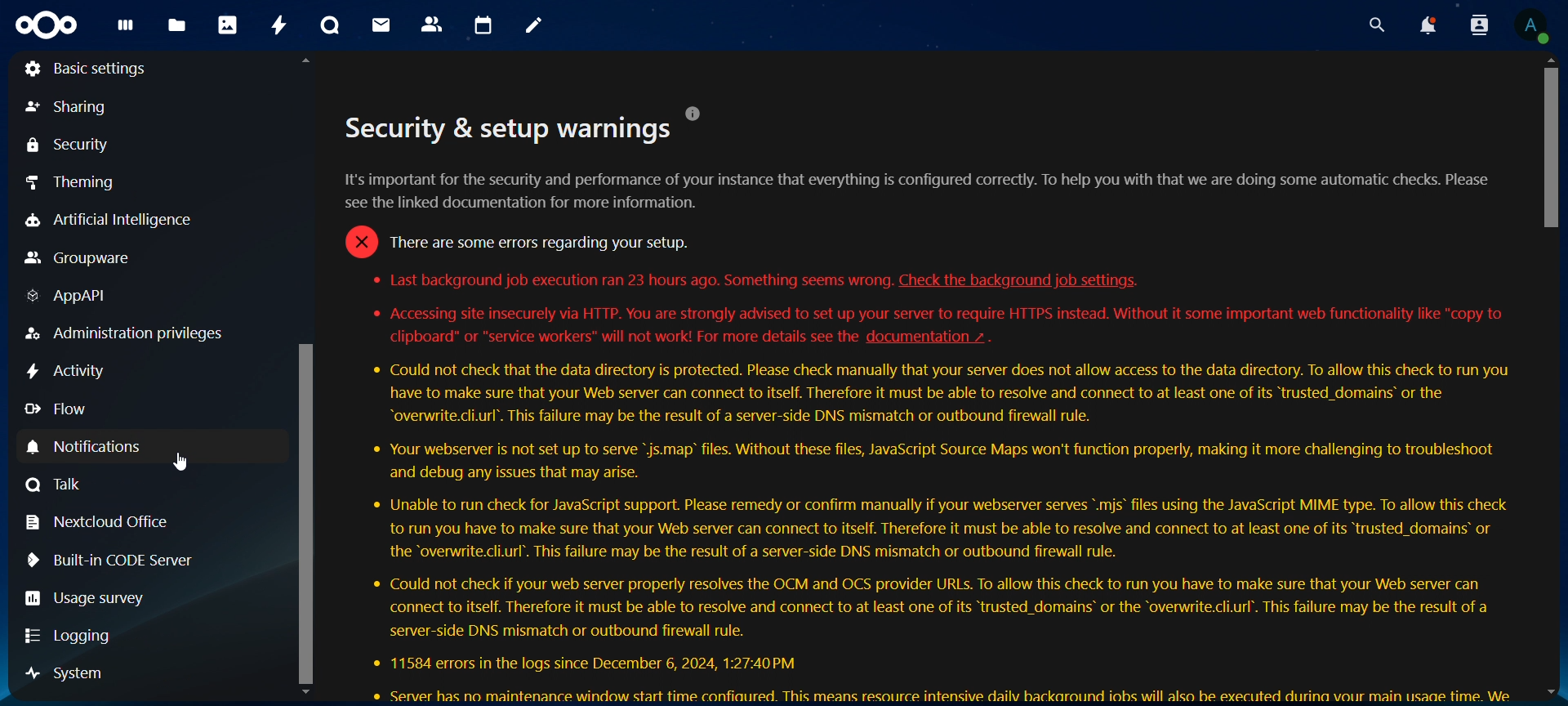 The width and height of the screenshot is (1568, 706). What do you see at coordinates (49, 25) in the screenshot?
I see `Icon` at bounding box center [49, 25].